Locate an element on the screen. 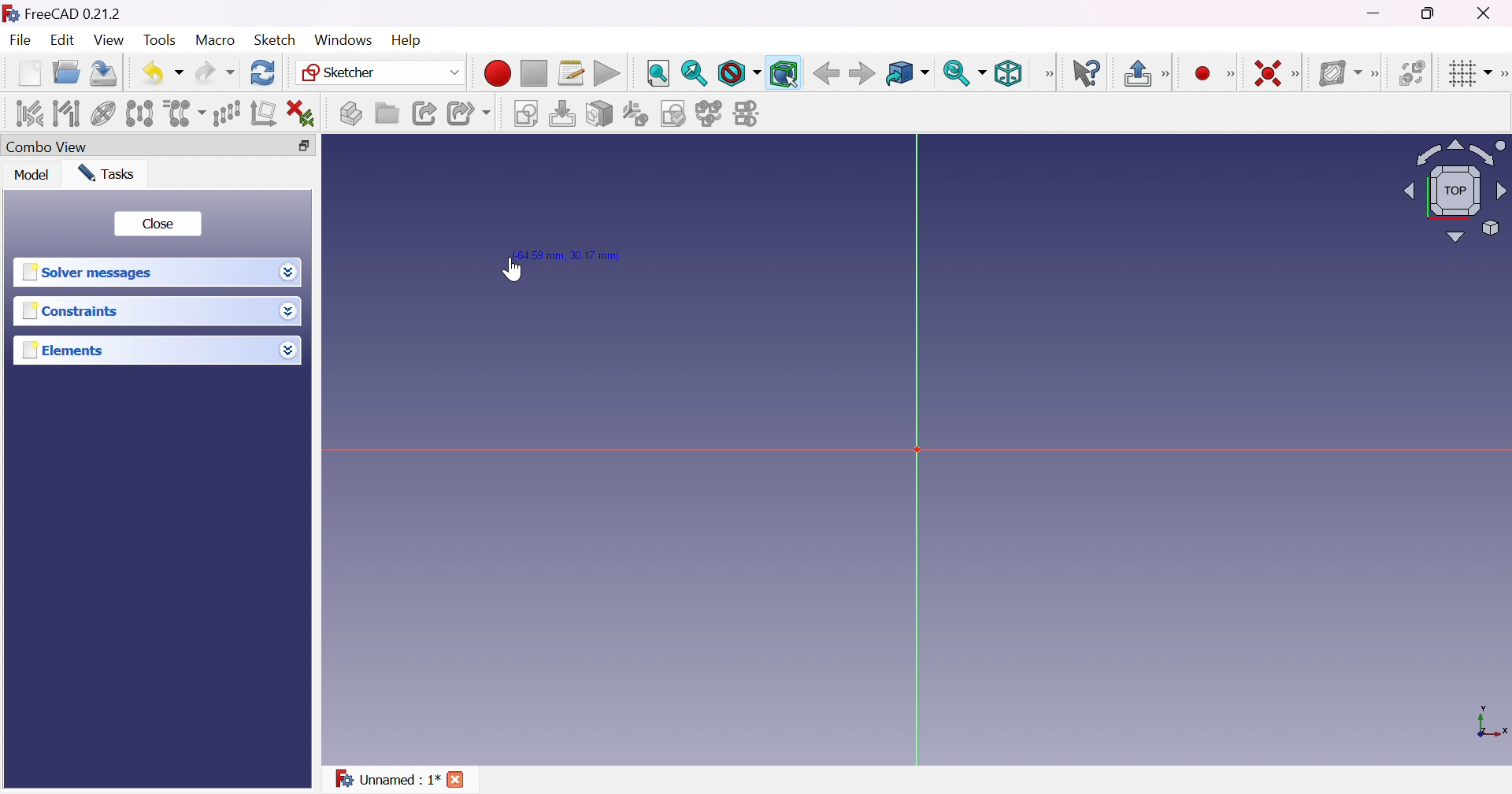 Image resolution: width=1512 pixels, height=794 pixels. [Sketcher constraints] is located at coordinates (1299, 75).